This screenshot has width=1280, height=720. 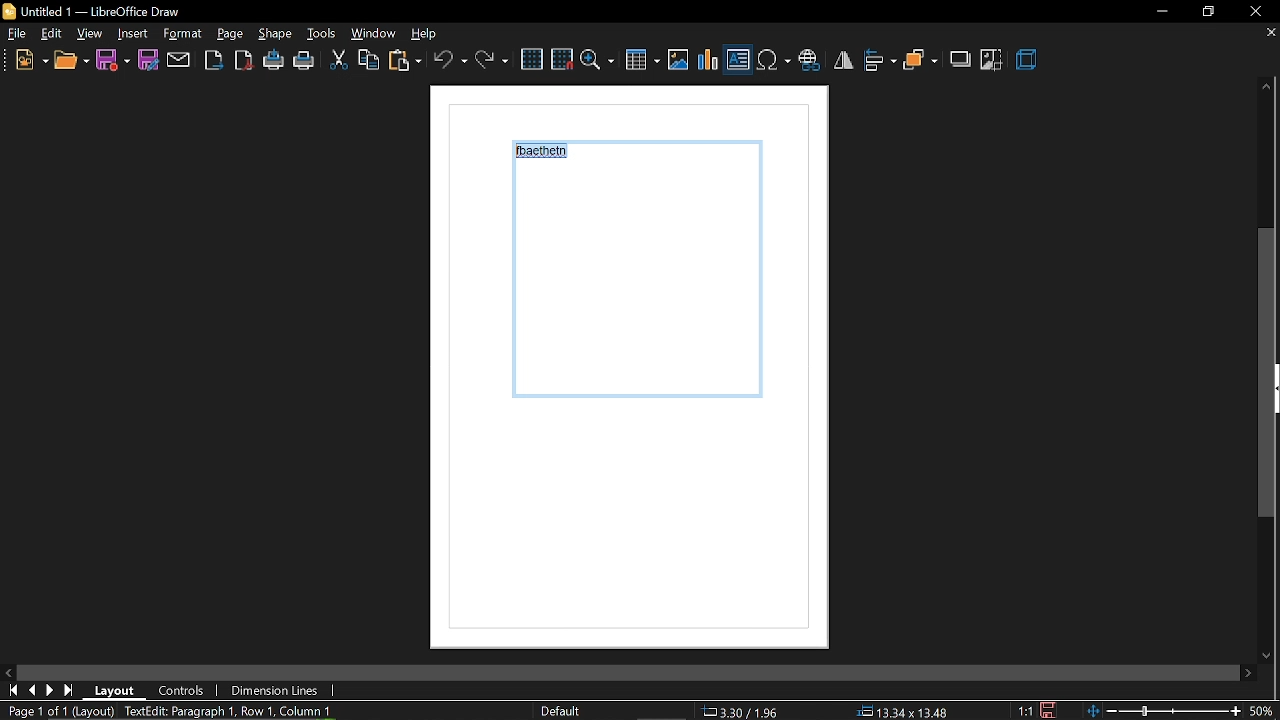 What do you see at coordinates (30, 60) in the screenshot?
I see `new` at bounding box center [30, 60].